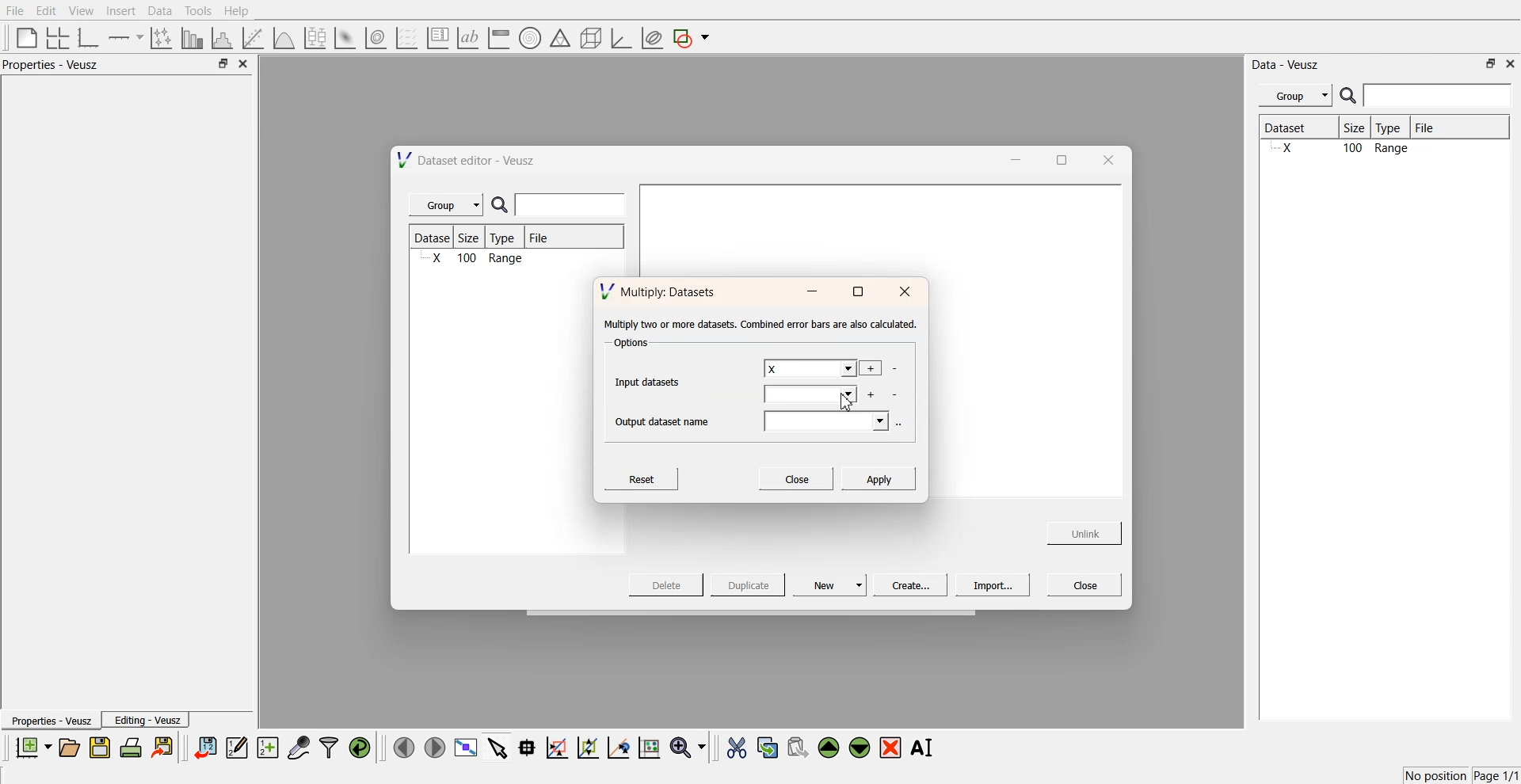 This screenshot has width=1521, height=784. Describe the element at coordinates (498, 39) in the screenshot. I see `image color bar` at that location.